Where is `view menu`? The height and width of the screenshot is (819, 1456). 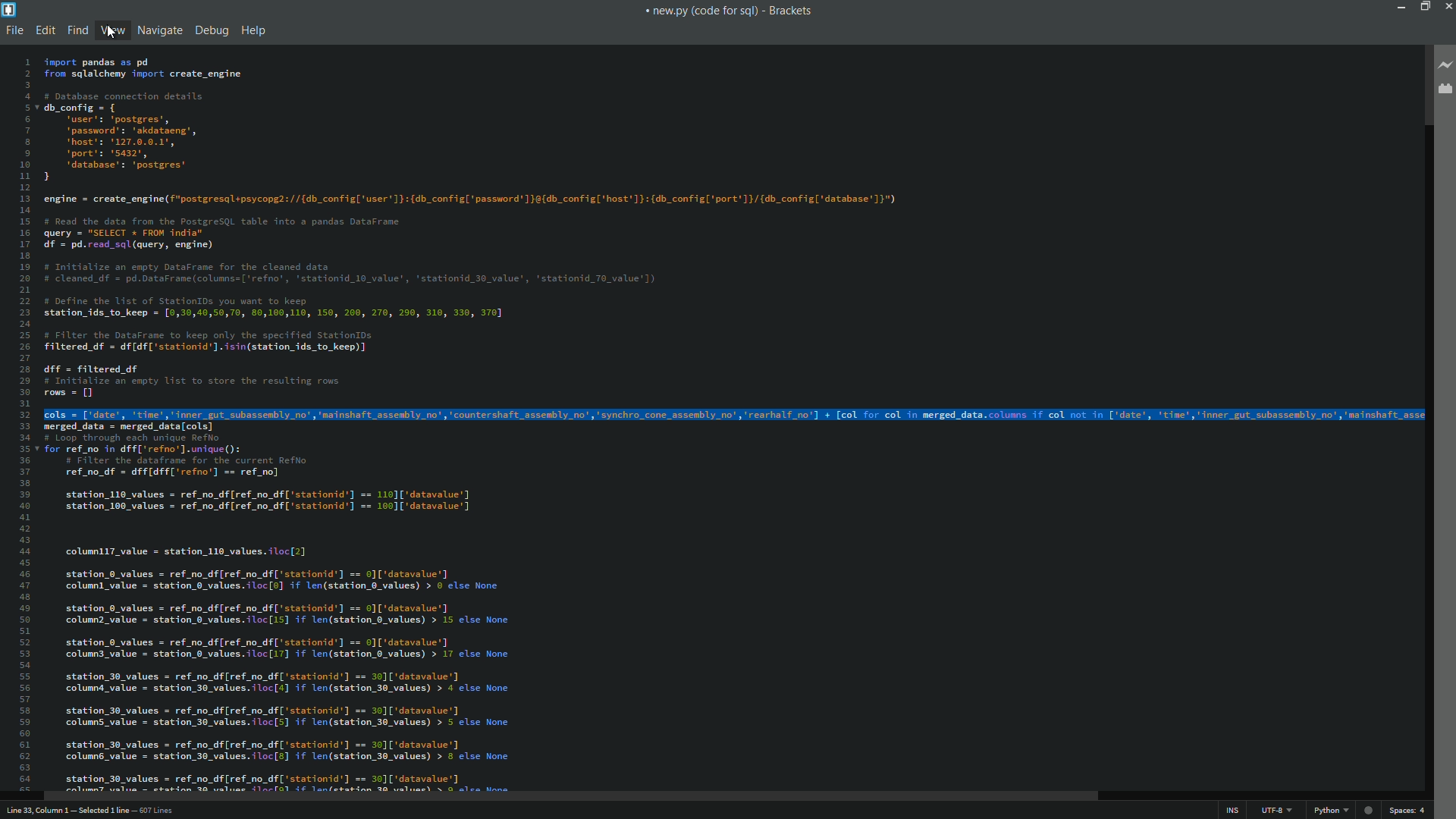 view menu is located at coordinates (111, 30).